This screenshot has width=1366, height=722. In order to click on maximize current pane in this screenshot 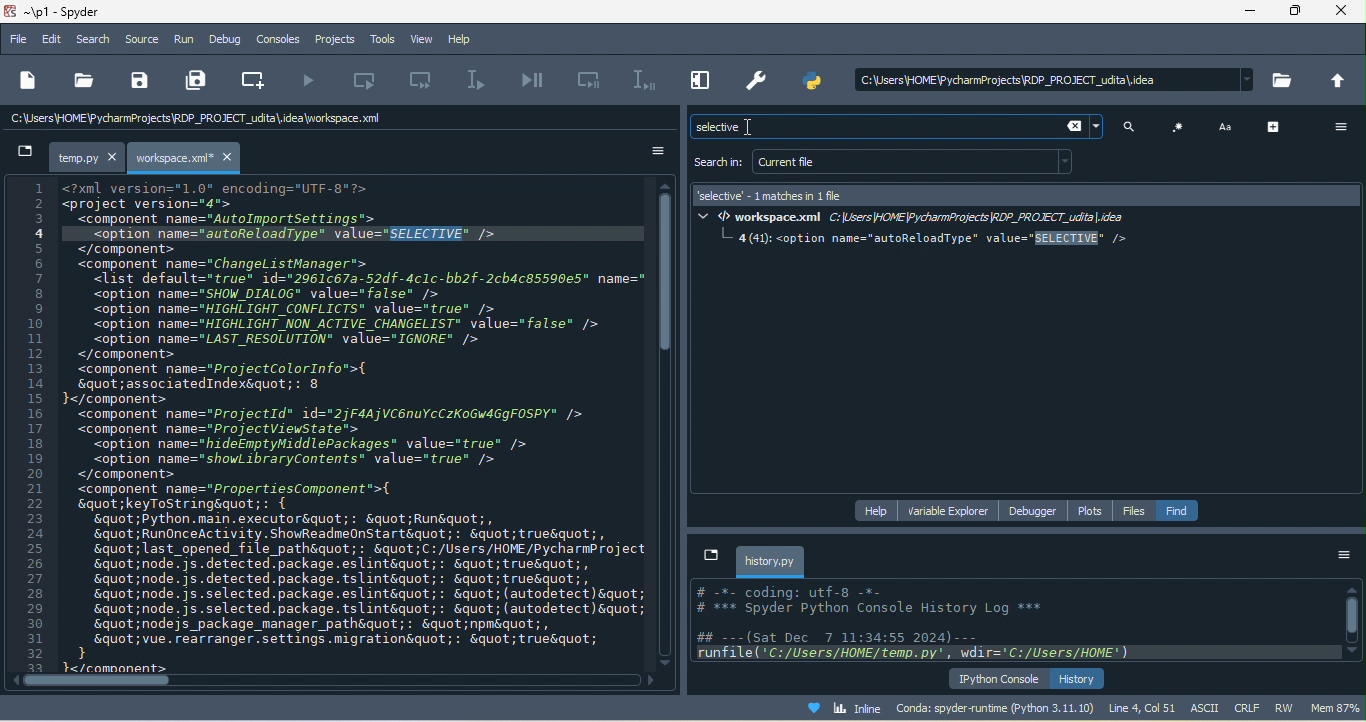, I will do `click(697, 83)`.